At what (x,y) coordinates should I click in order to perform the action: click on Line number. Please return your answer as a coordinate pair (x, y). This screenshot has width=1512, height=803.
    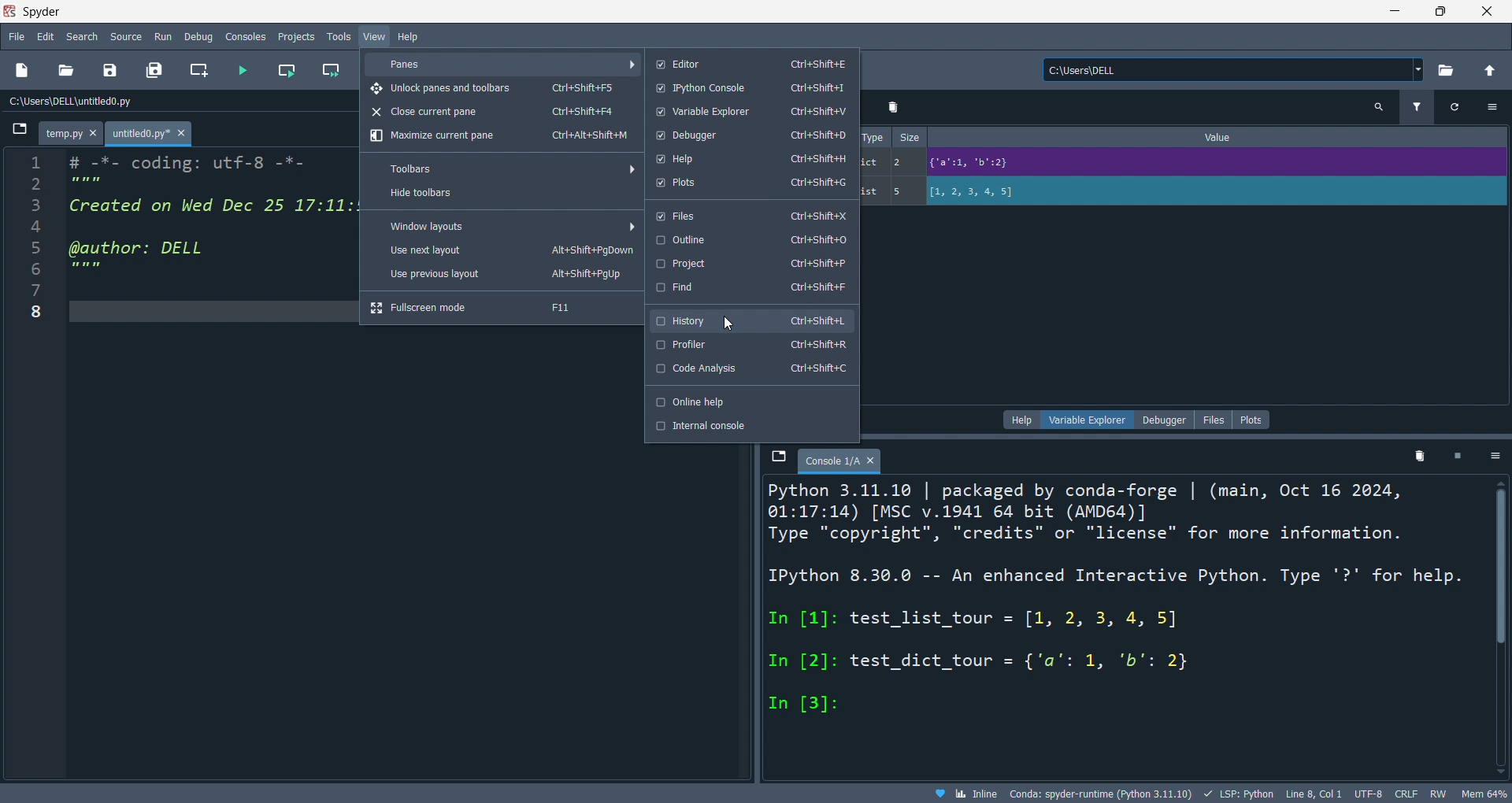
    Looking at the image, I should click on (35, 242).